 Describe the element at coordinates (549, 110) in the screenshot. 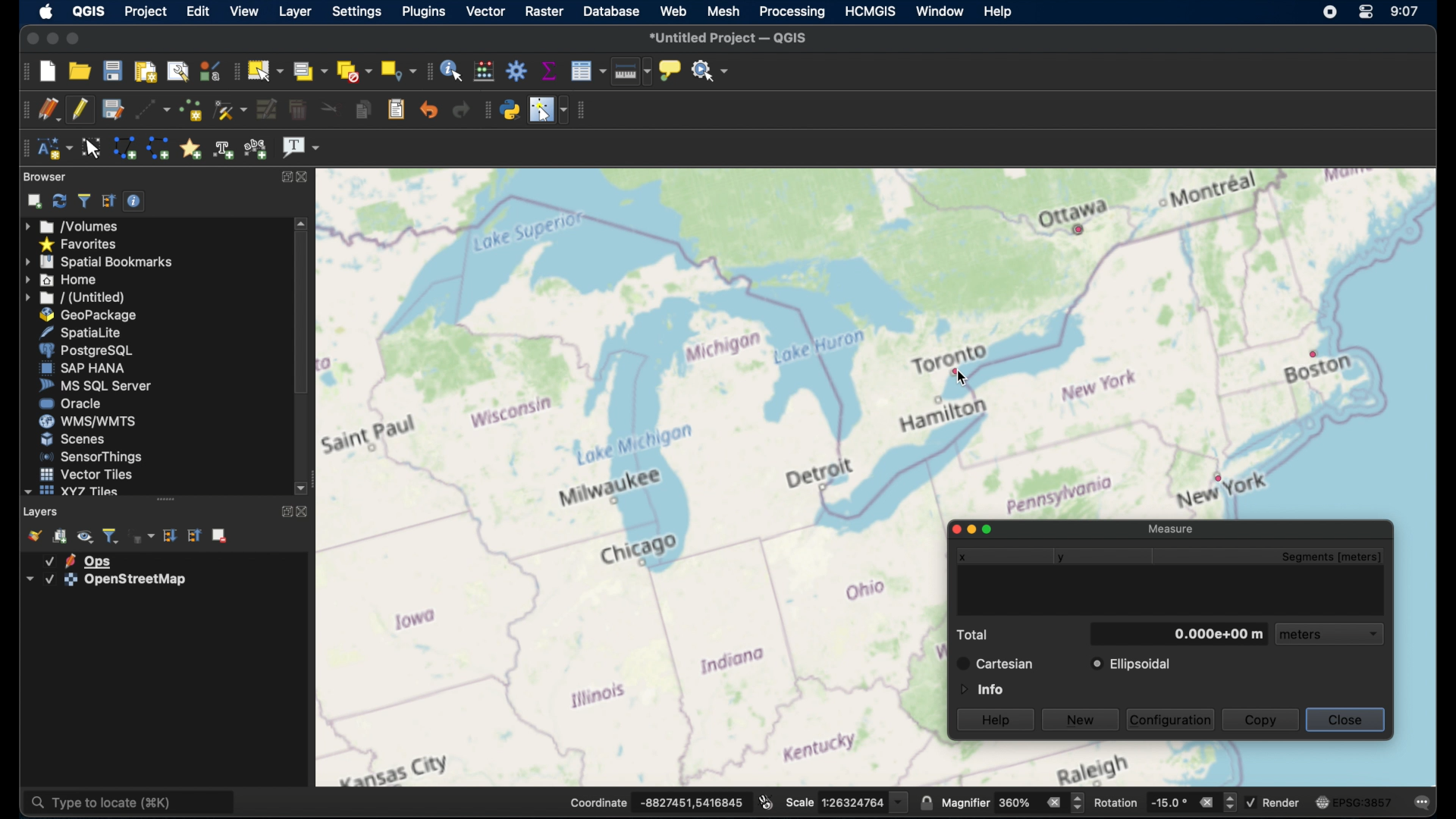

I see `switches mouse cursor to configurable position` at that location.